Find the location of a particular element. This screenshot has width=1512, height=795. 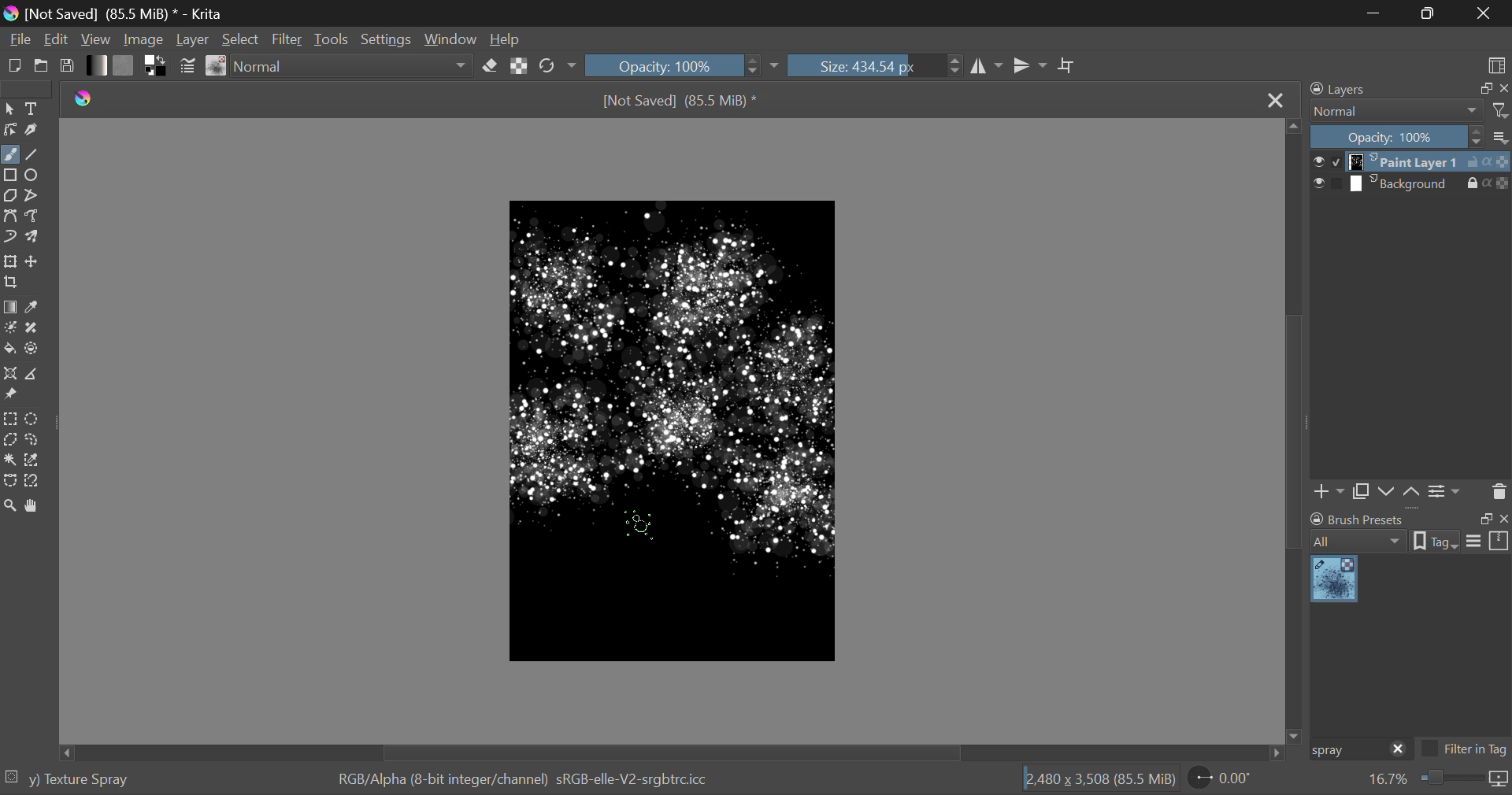

View is located at coordinates (98, 39).